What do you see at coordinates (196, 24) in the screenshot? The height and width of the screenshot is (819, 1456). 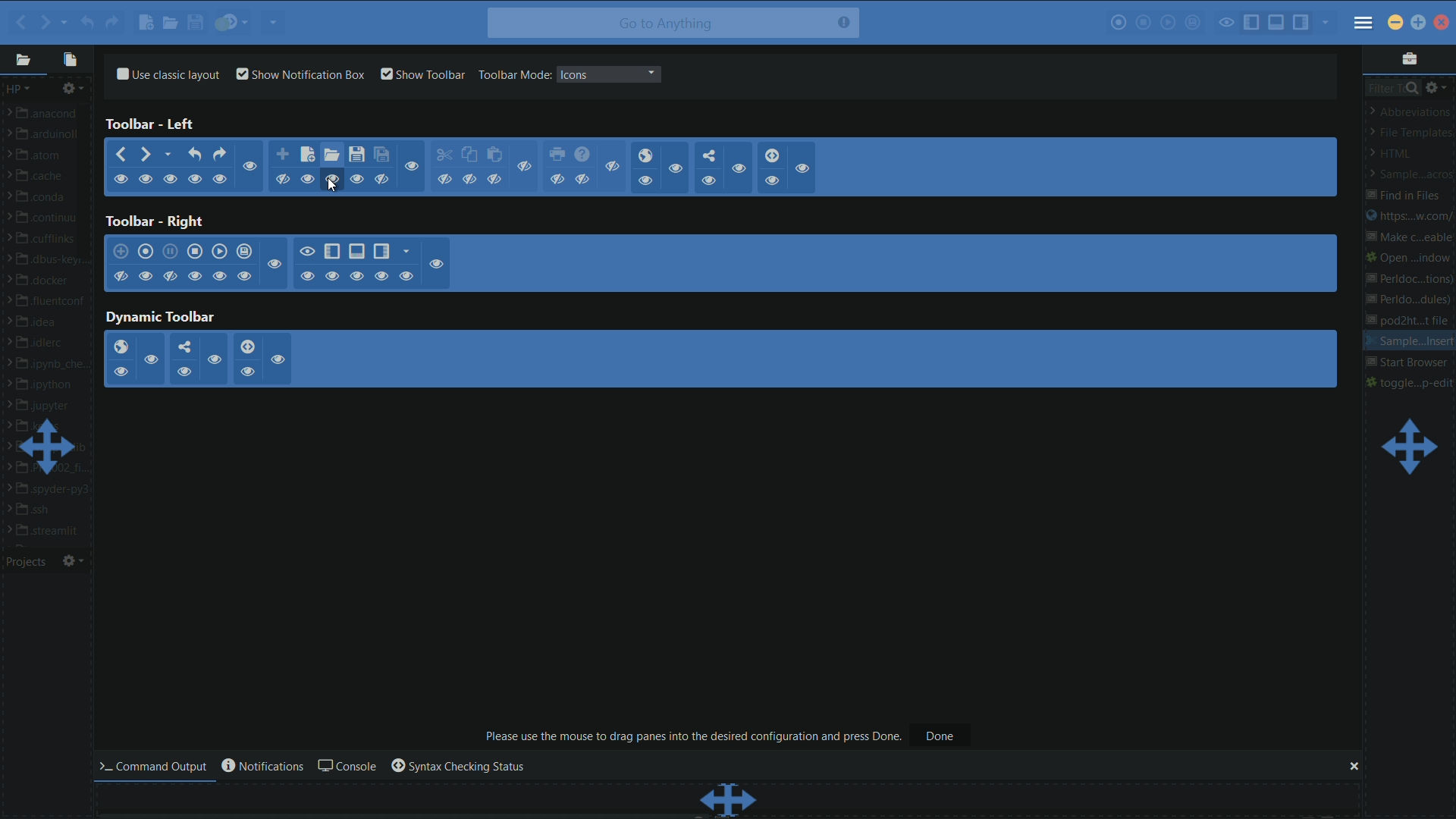 I see `save file` at bounding box center [196, 24].